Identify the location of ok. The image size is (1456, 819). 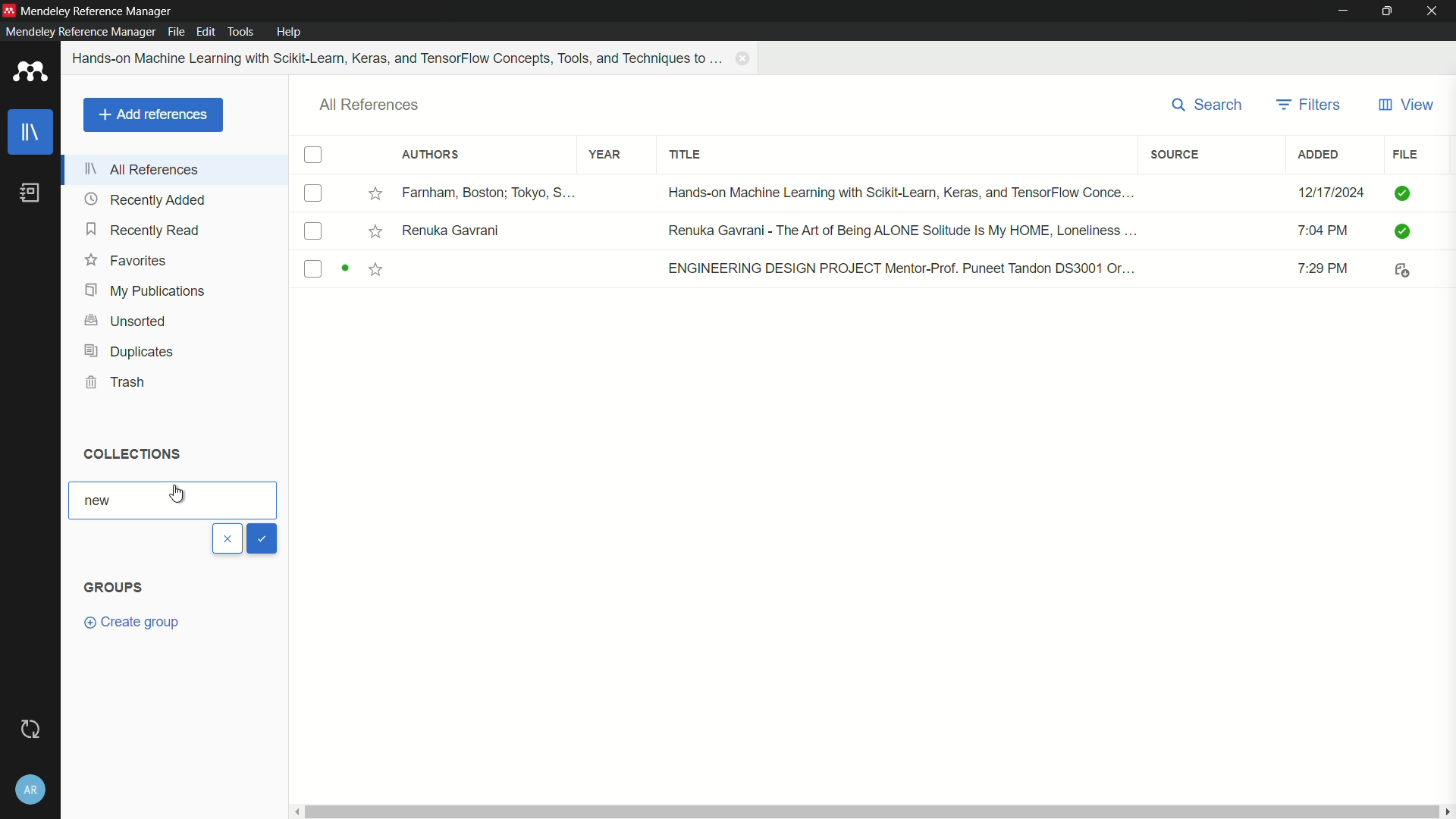
(261, 538).